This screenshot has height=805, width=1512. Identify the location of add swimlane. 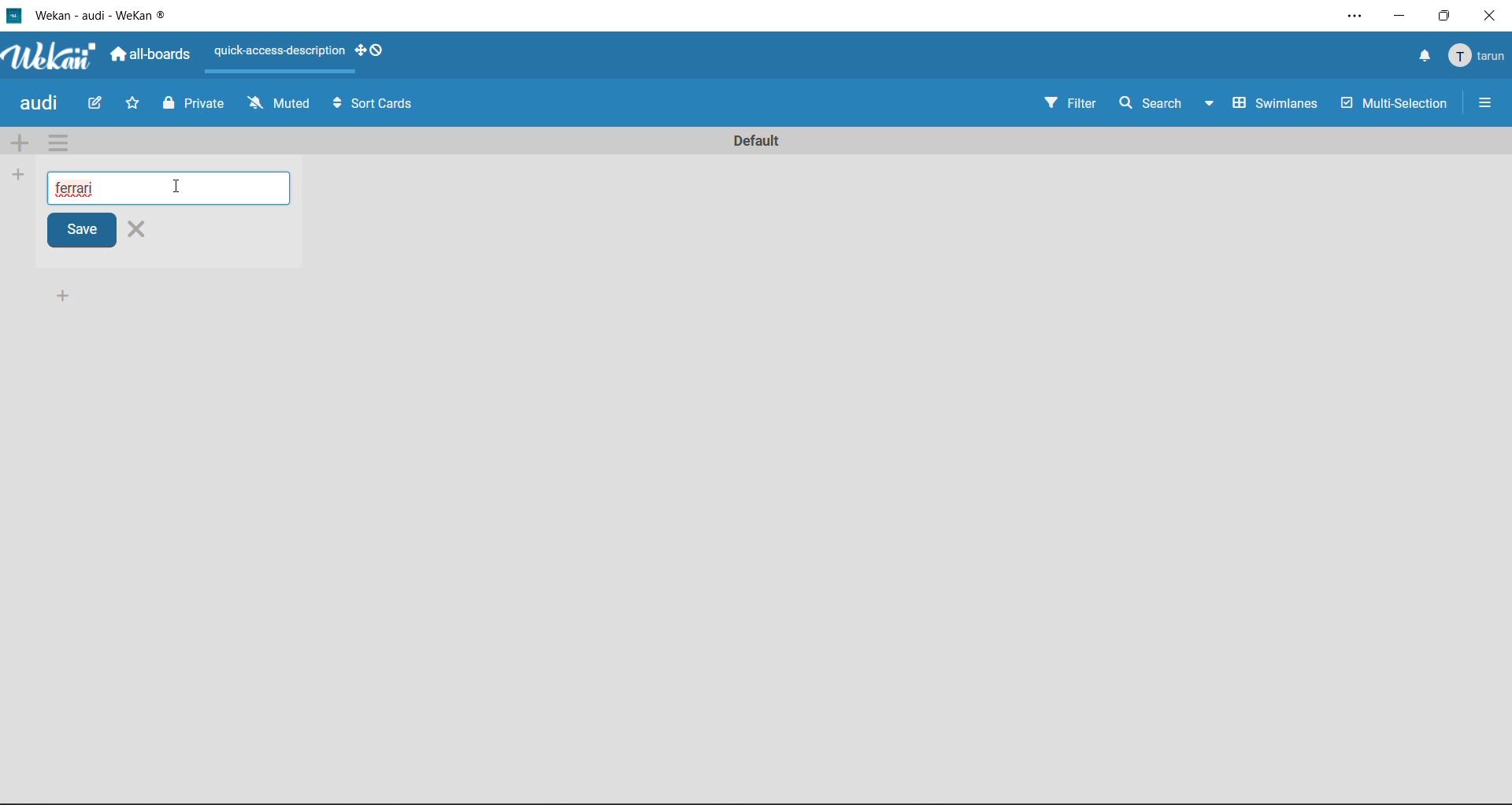
(20, 145).